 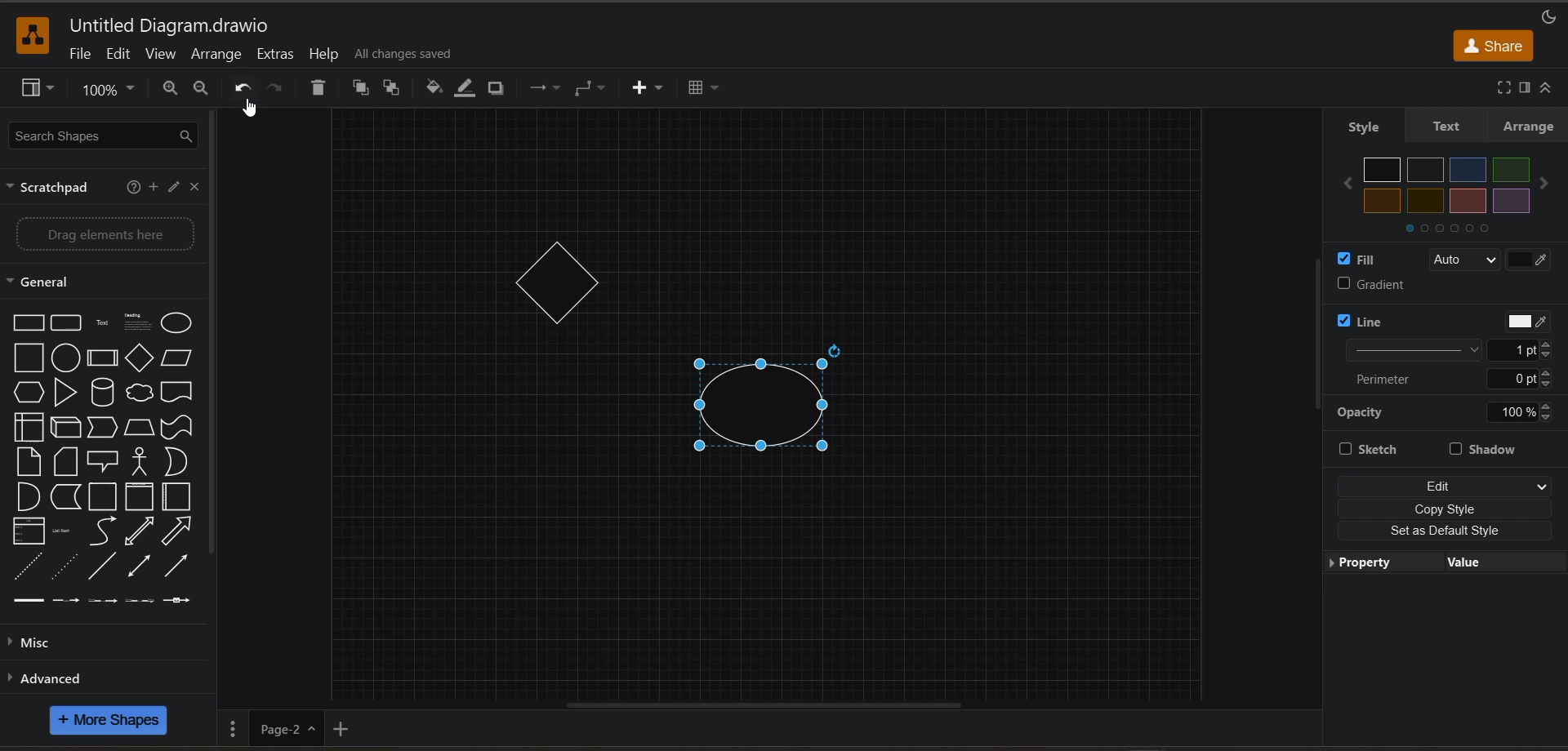 I want to click on table, so click(x=709, y=90).